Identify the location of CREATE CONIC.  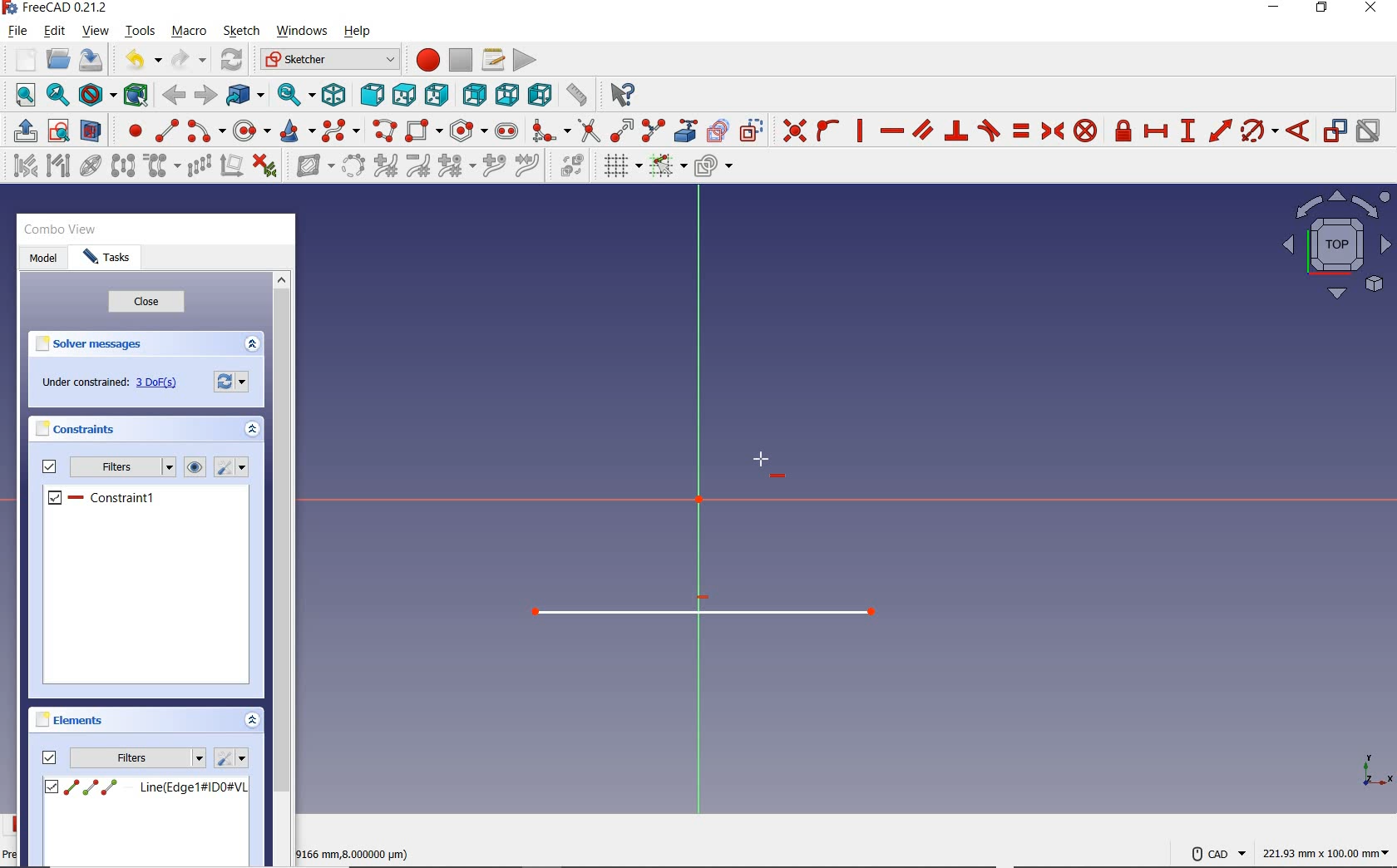
(296, 131).